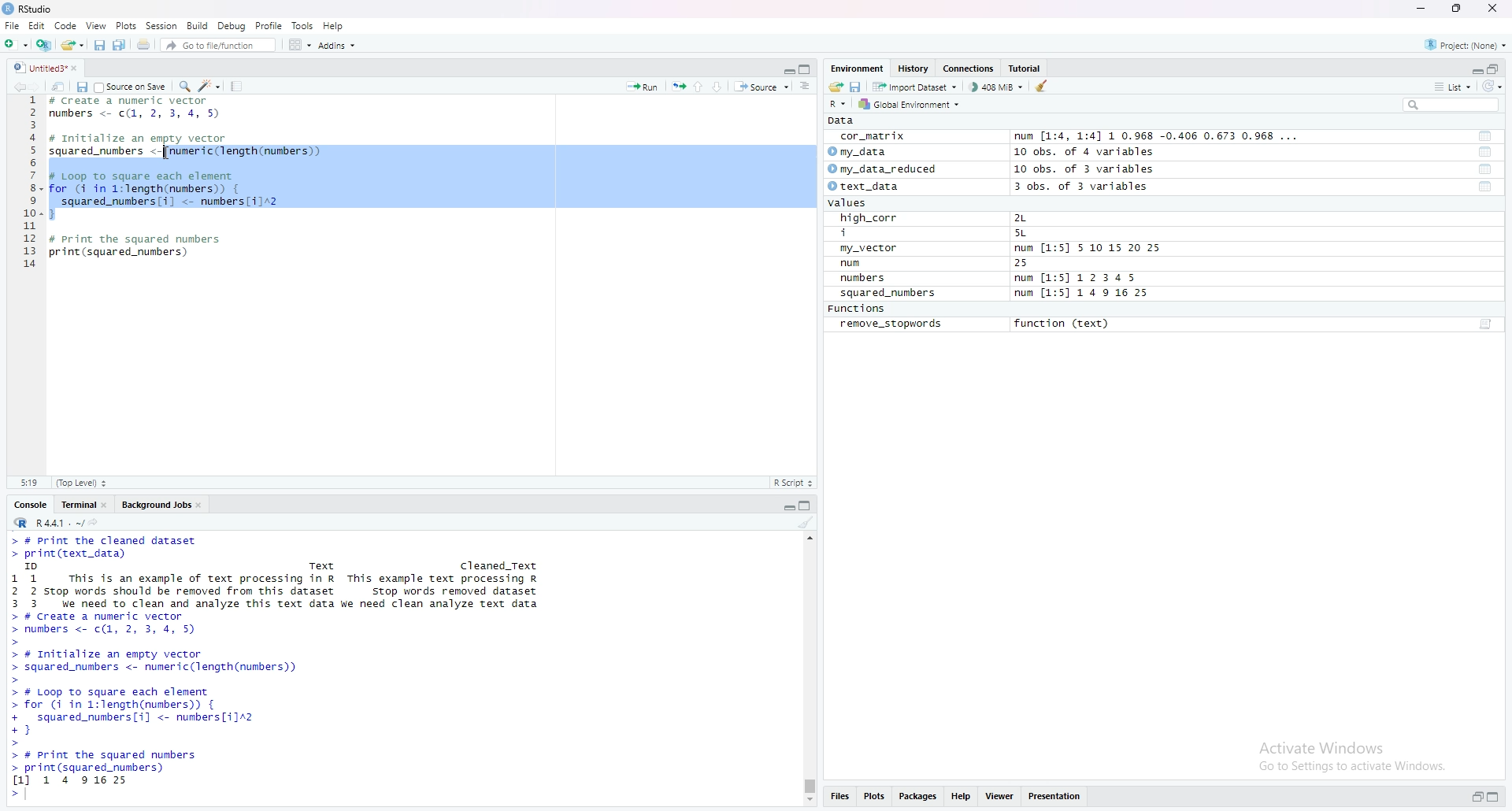 The height and width of the screenshot is (811, 1512). I want to click on save workspace, so click(856, 86).